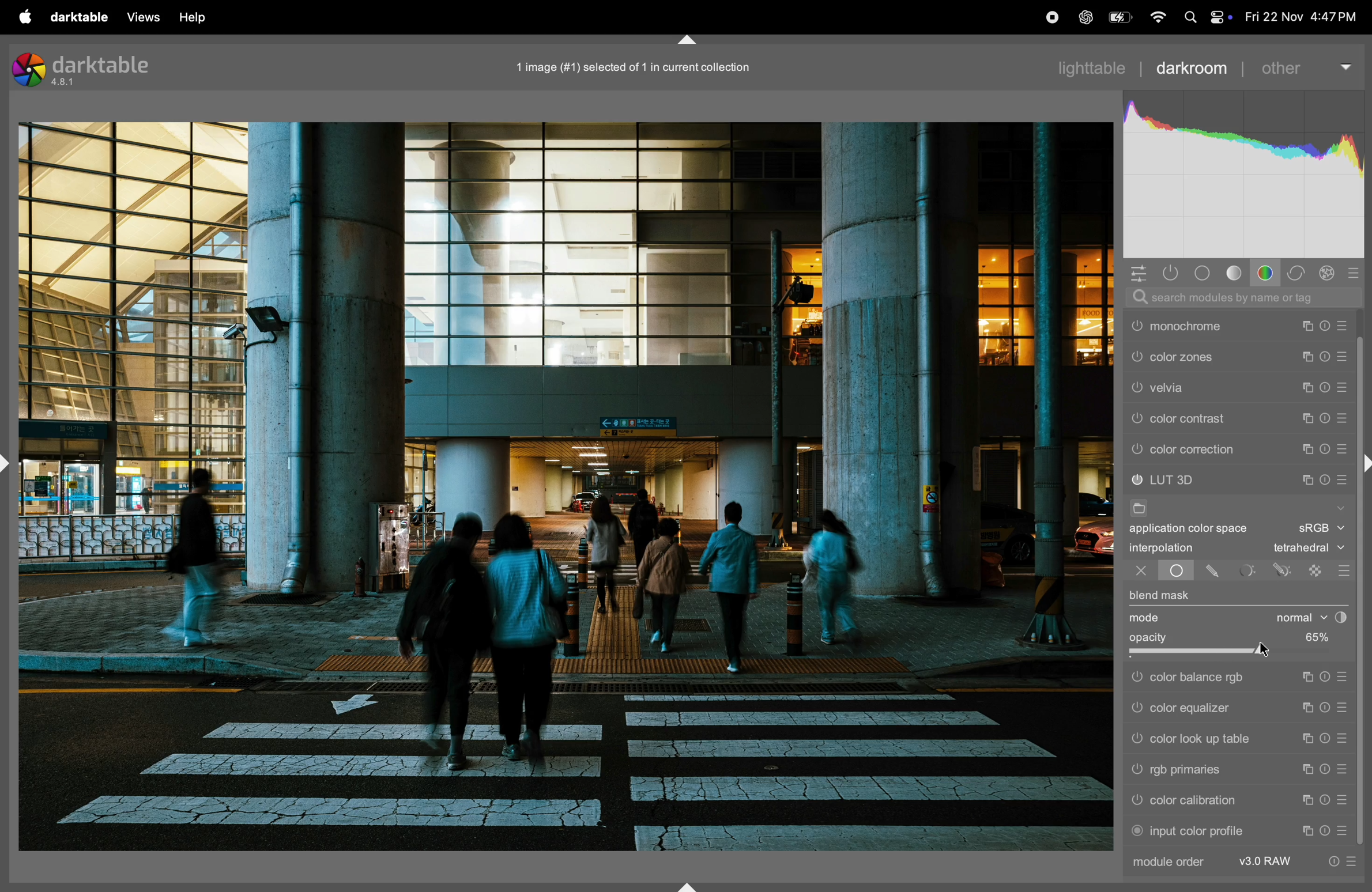 This screenshot has height=892, width=1372. I want to click on , so click(1137, 739).